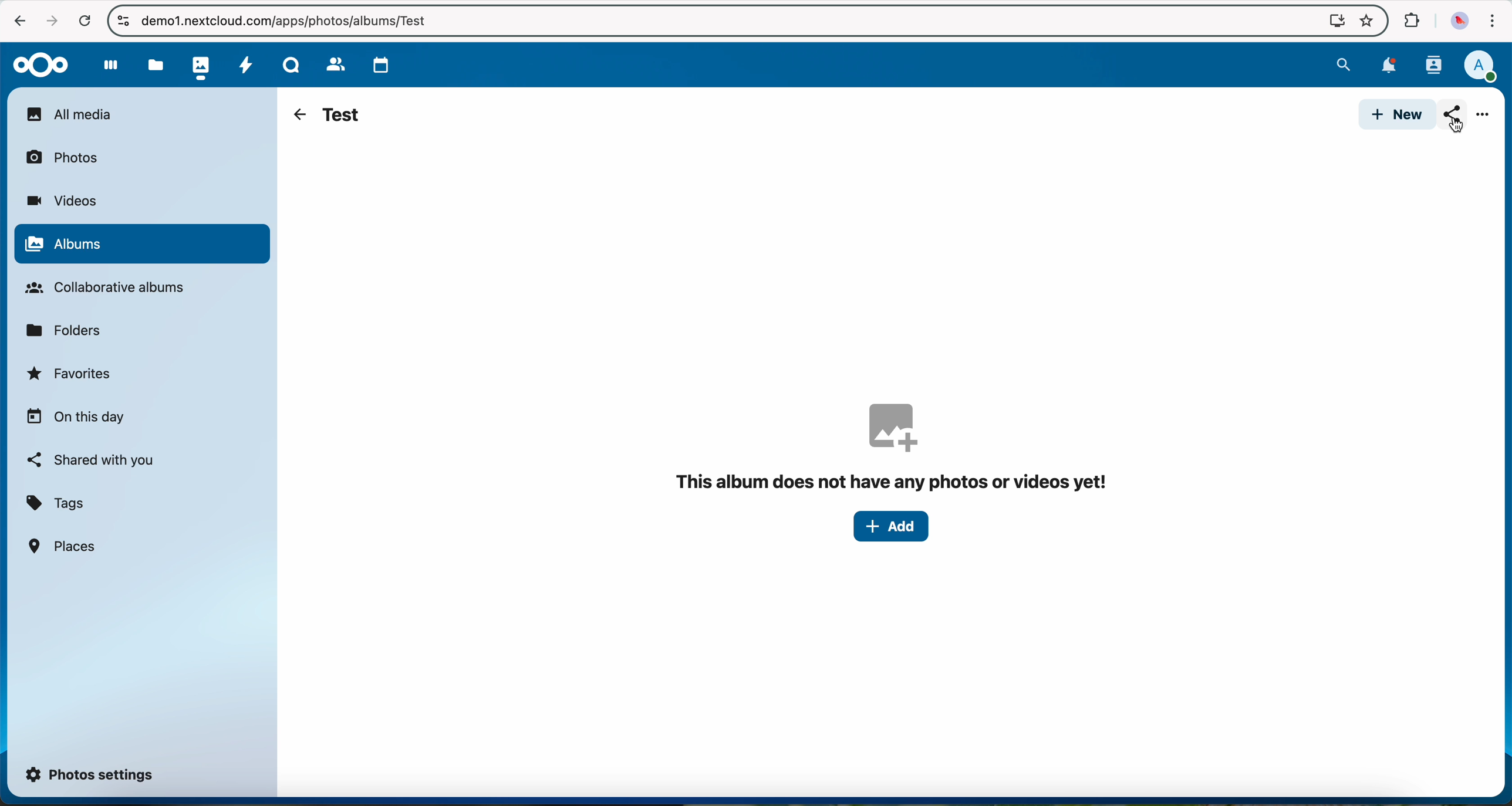  What do you see at coordinates (1410, 21) in the screenshot?
I see `extensions` at bounding box center [1410, 21].